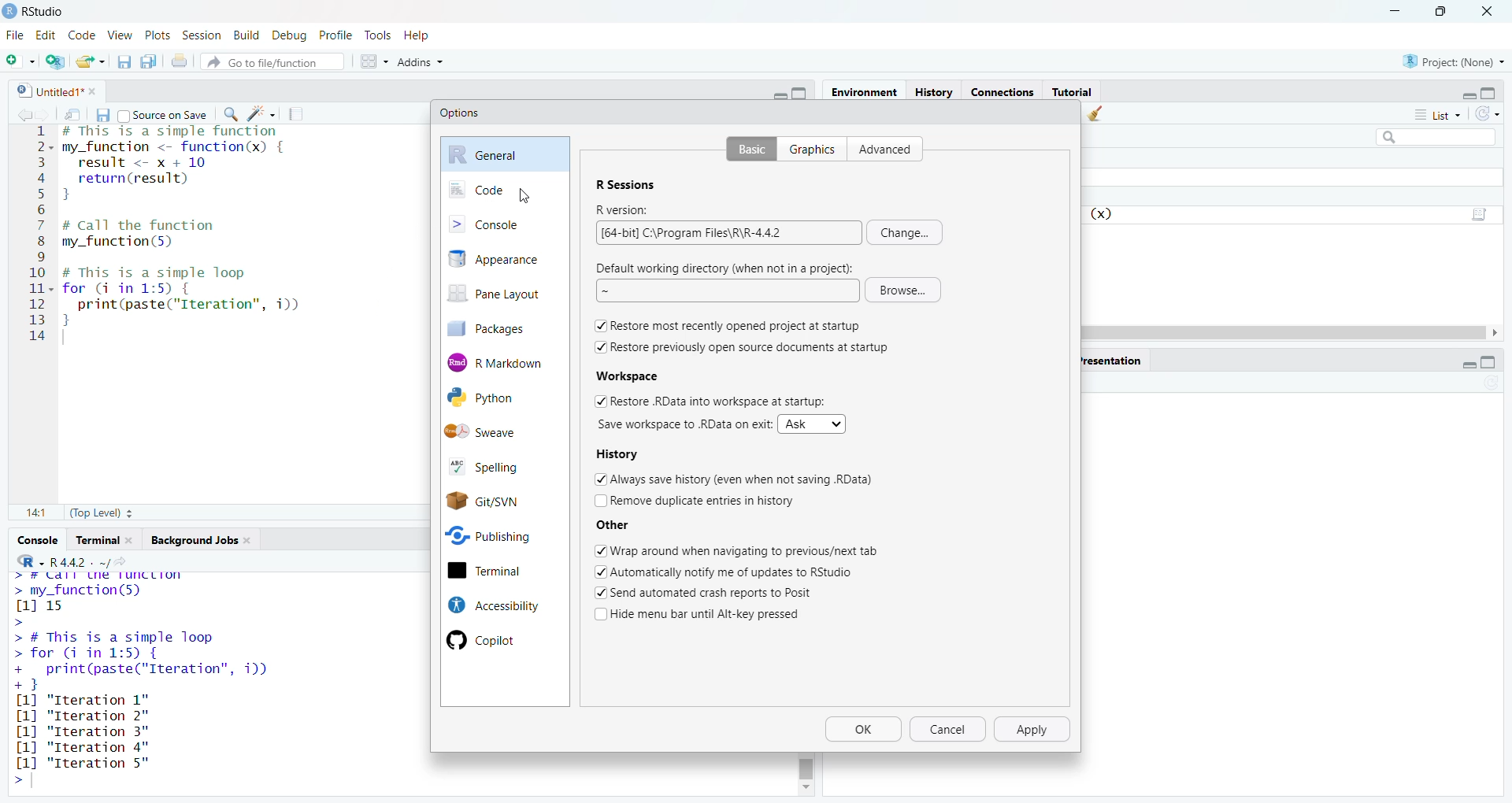  Describe the element at coordinates (96, 540) in the screenshot. I see `terminal` at that location.